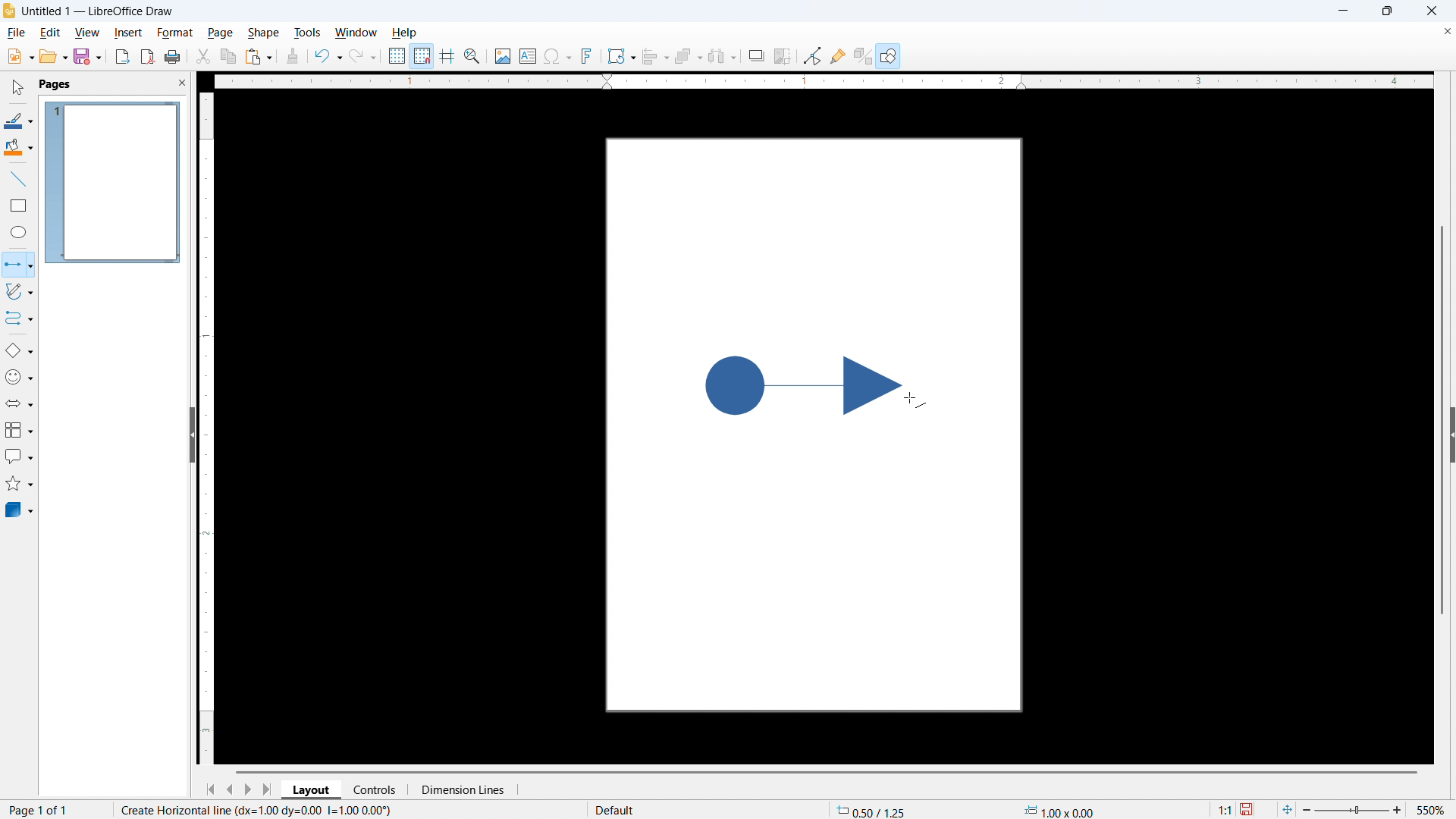 The image size is (1456, 819). I want to click on Vertical scroll bar , so click(1442, 420).